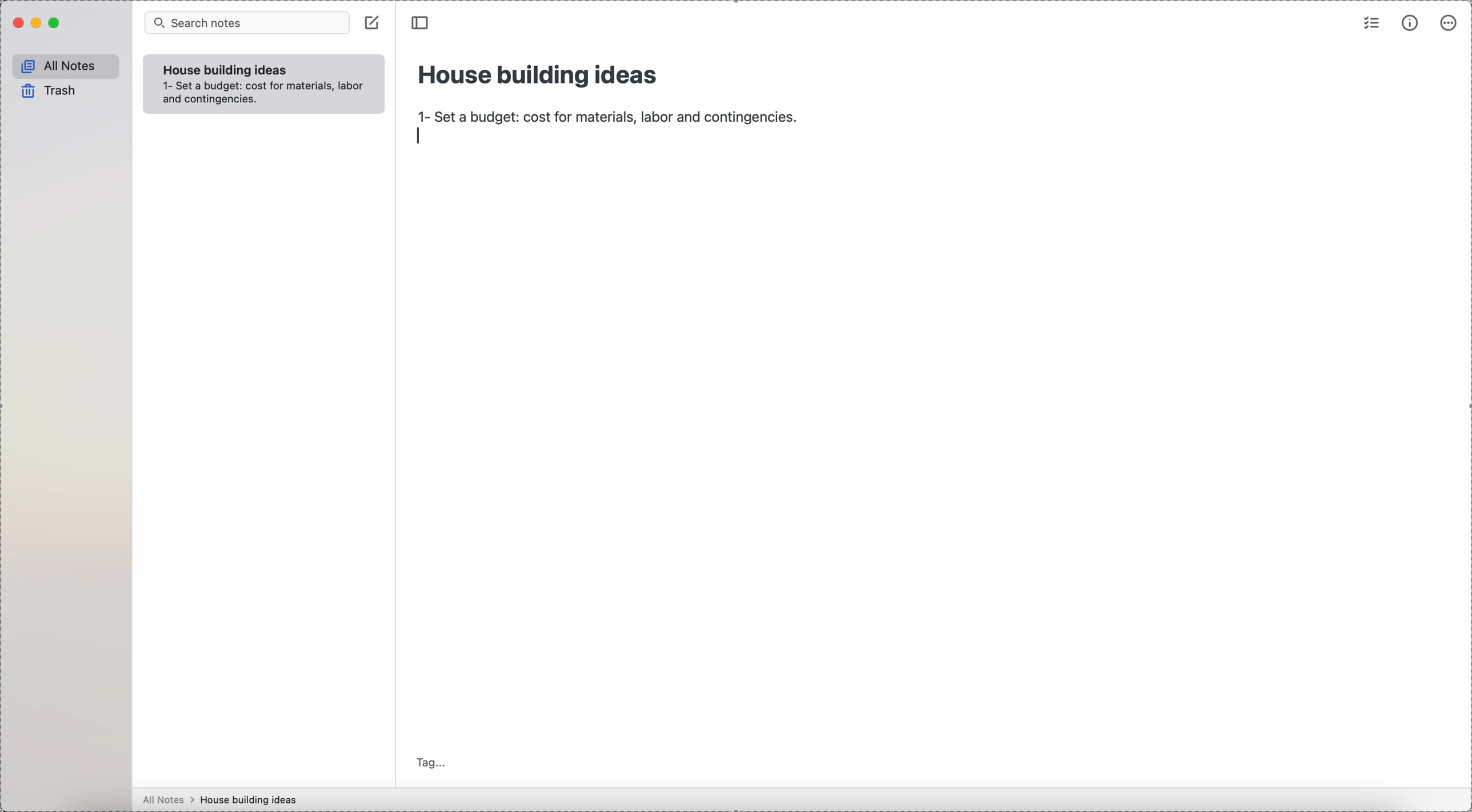  What do you see at coordinates (169, 800) in the screenshot?
I see `all notes` at bounding box center [169, 800].